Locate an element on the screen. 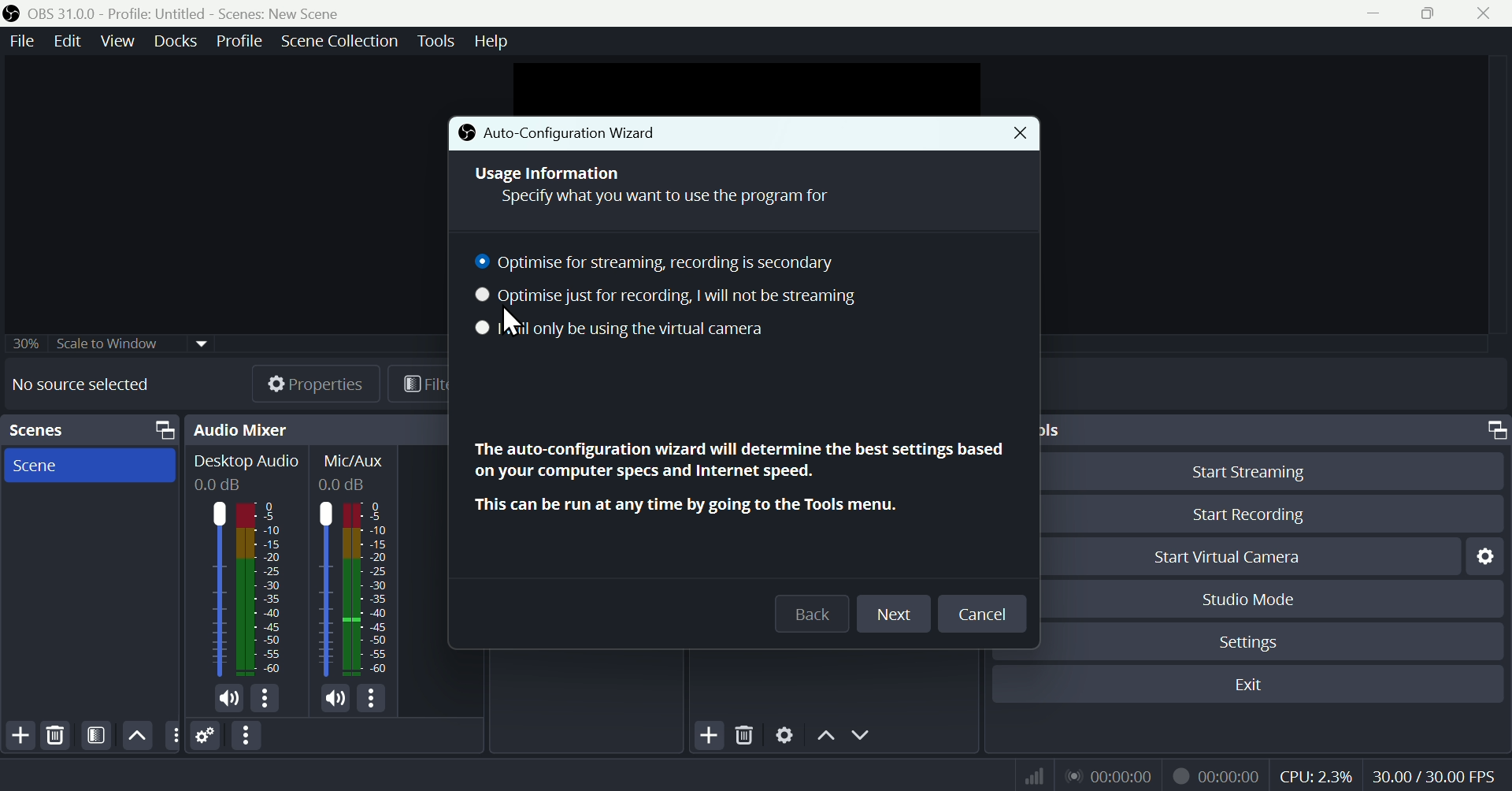 The height and width of the screenshot is (791, 1512). Mic/Aux is located at coordinates (356, 565).